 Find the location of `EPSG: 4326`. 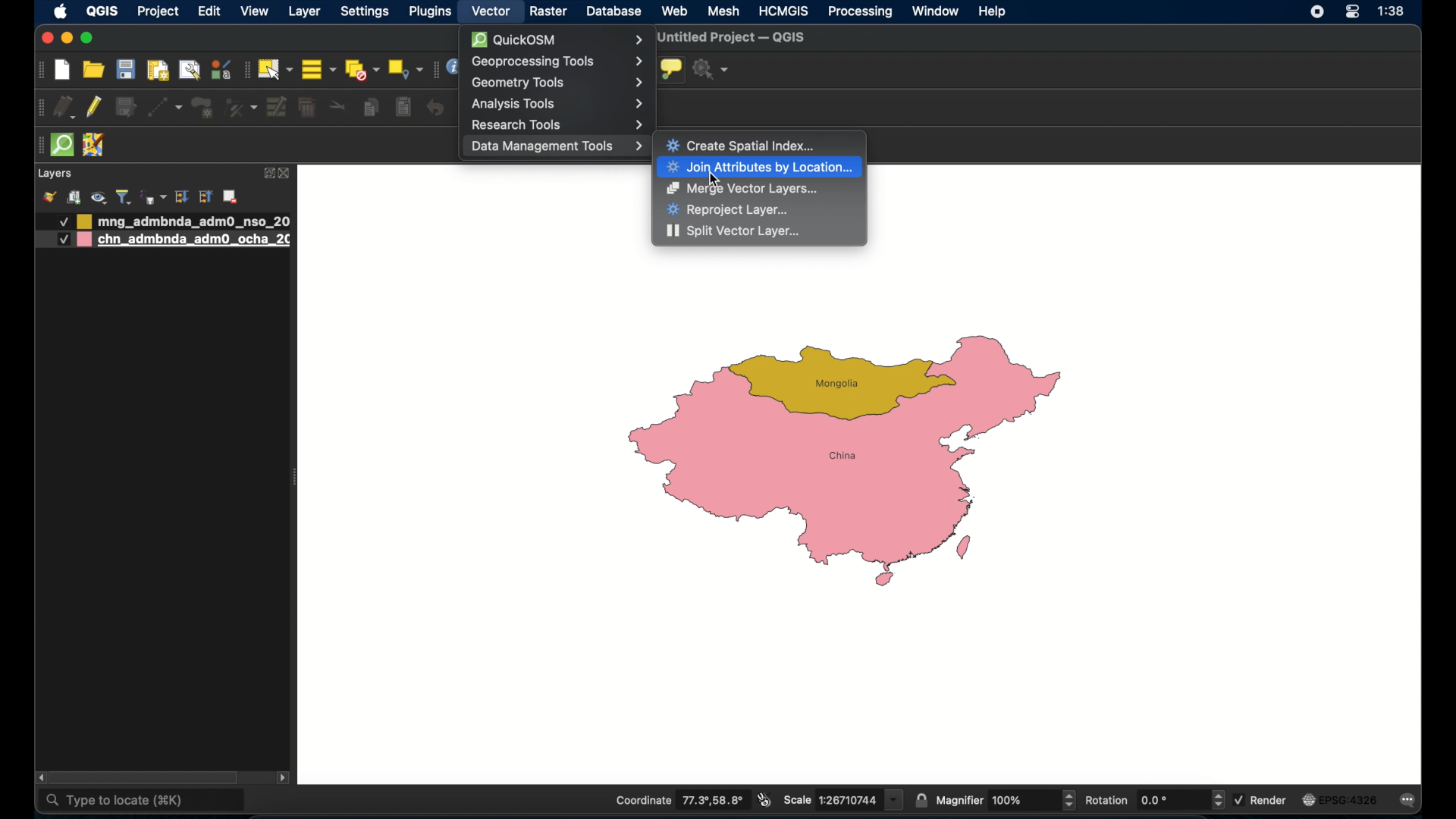

EPSG: 4326 is located at coordinates (1339, 799).